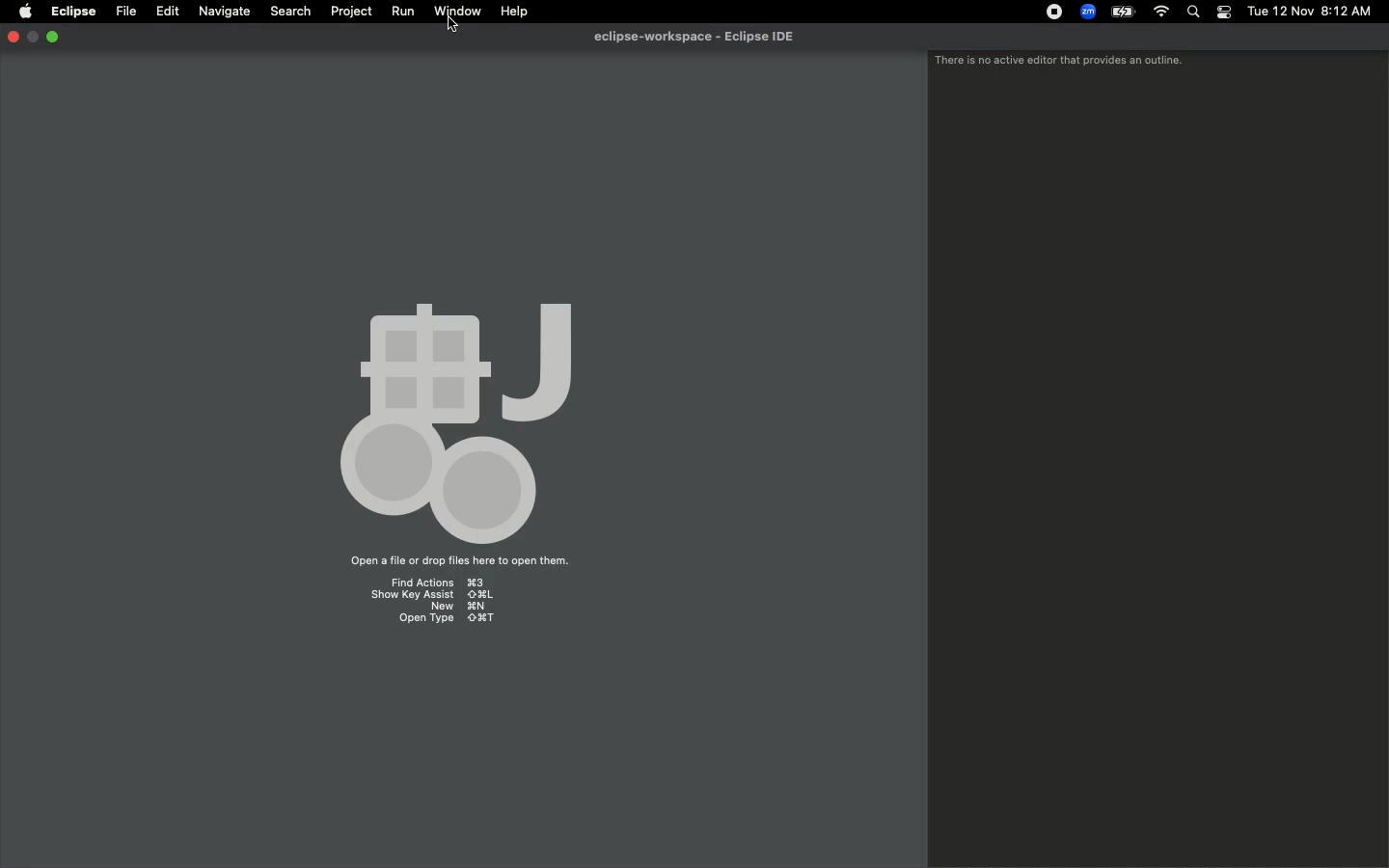  I want to click on Eclipse IDE workspace, so click(701, 37).